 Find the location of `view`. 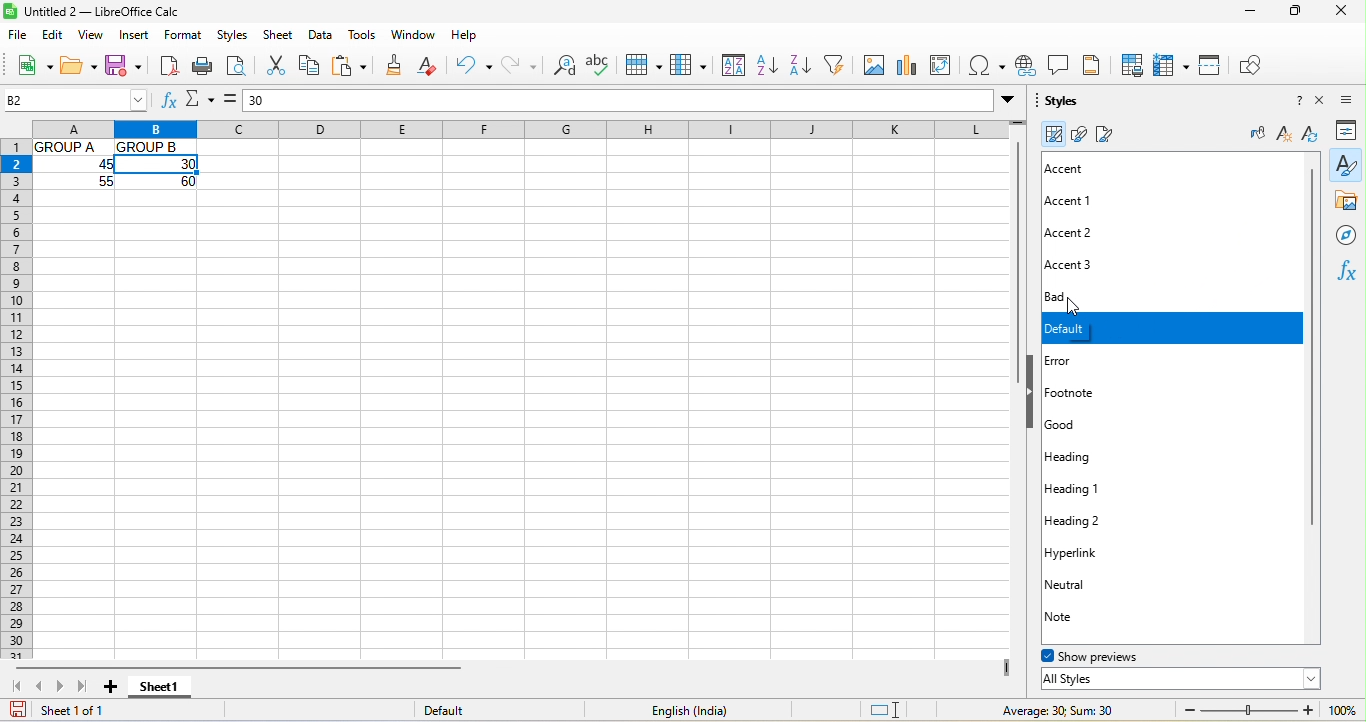

view is located at coordinates (94, 36).